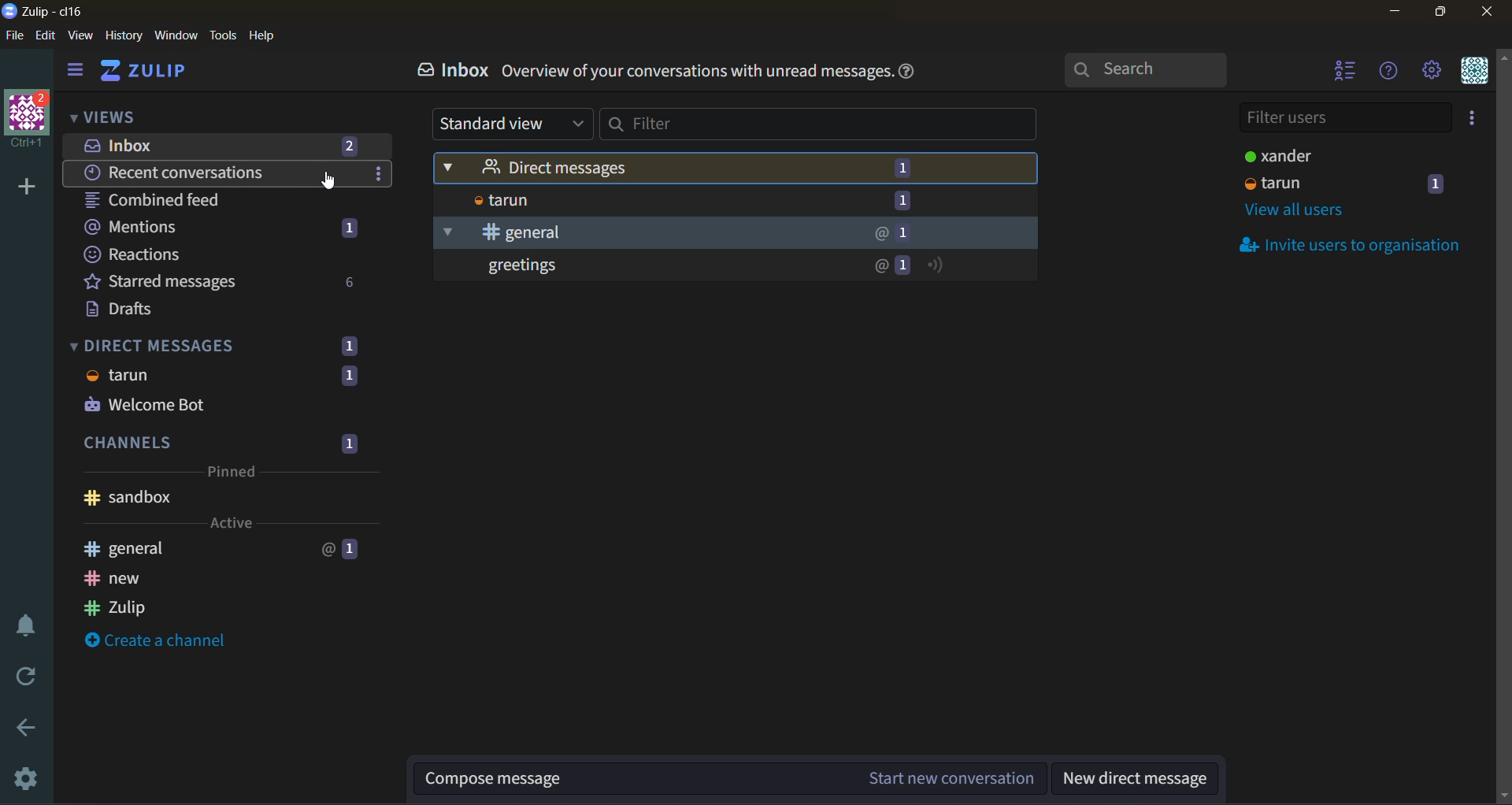 The image size is (1512, 805). Describe the element at coordinates (29, 729) in the screenshot. I see `go back` at that location.